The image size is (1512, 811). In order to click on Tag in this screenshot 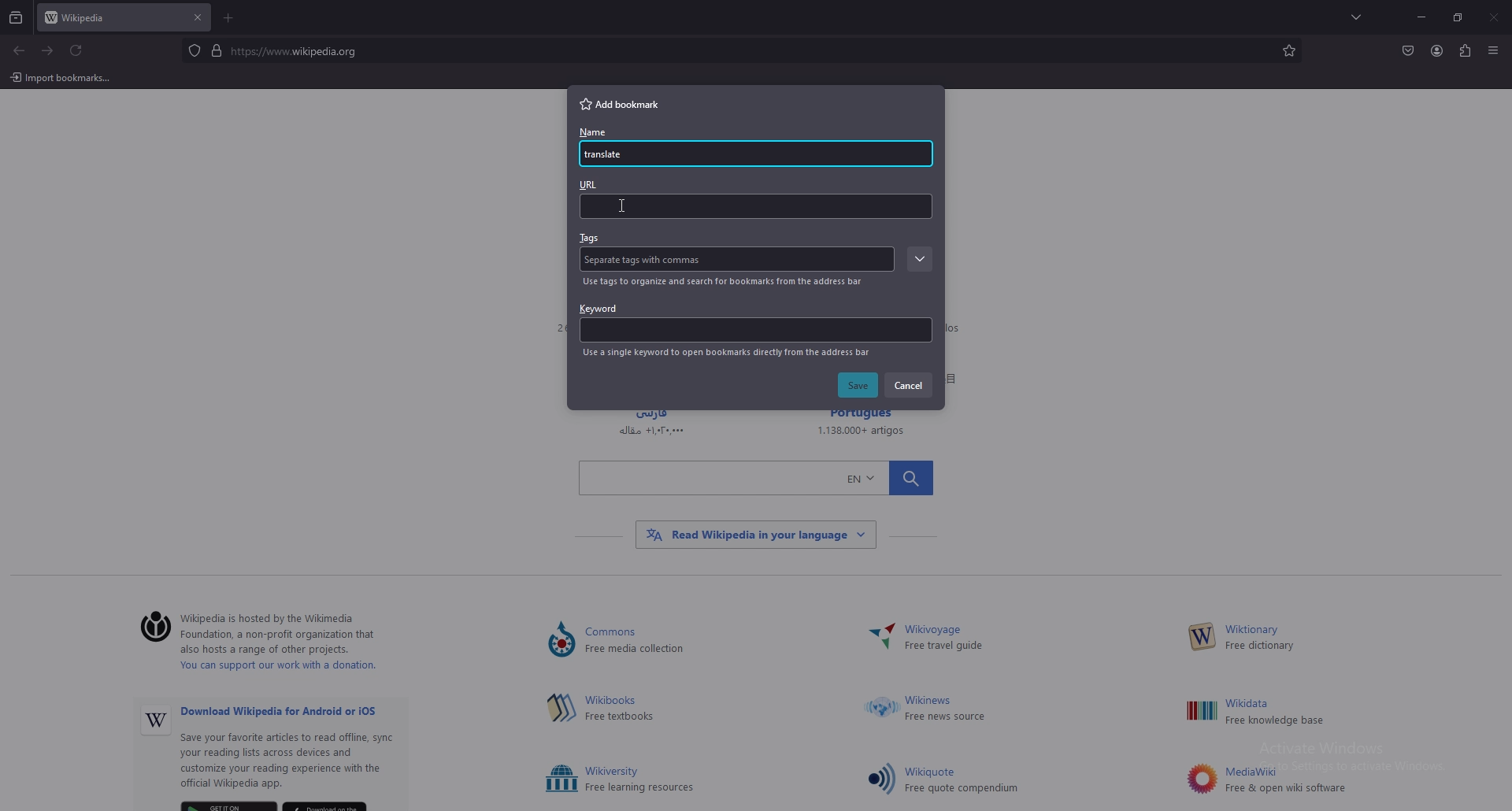, I will do `click(674, 261)`.